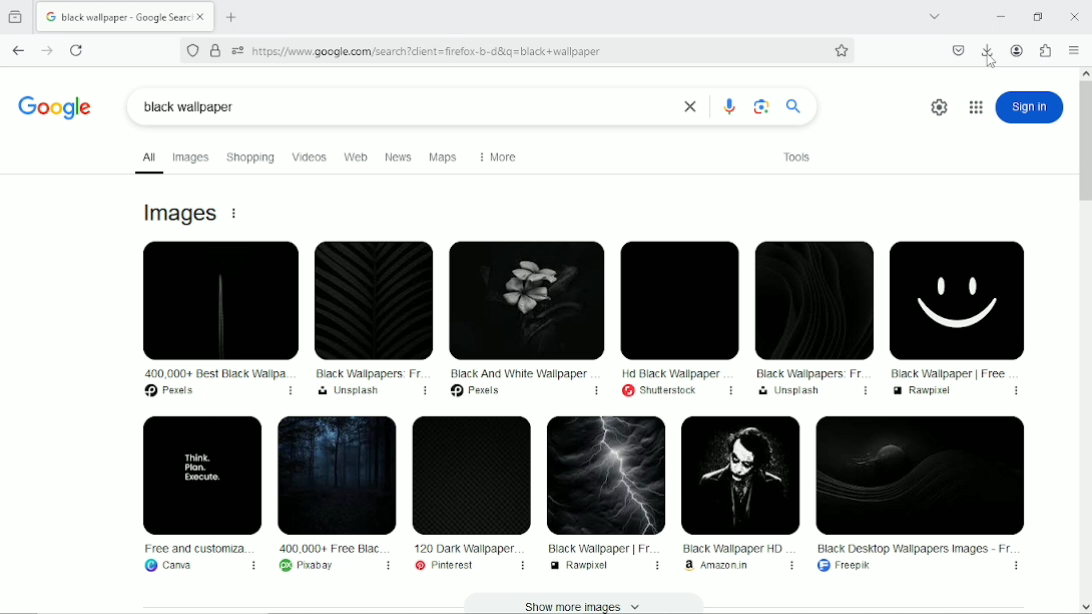 This screenshot has height=614, width=1092. Describe the element at coordinates (18, 49) in the screenshot. I see `Go back` at that location.